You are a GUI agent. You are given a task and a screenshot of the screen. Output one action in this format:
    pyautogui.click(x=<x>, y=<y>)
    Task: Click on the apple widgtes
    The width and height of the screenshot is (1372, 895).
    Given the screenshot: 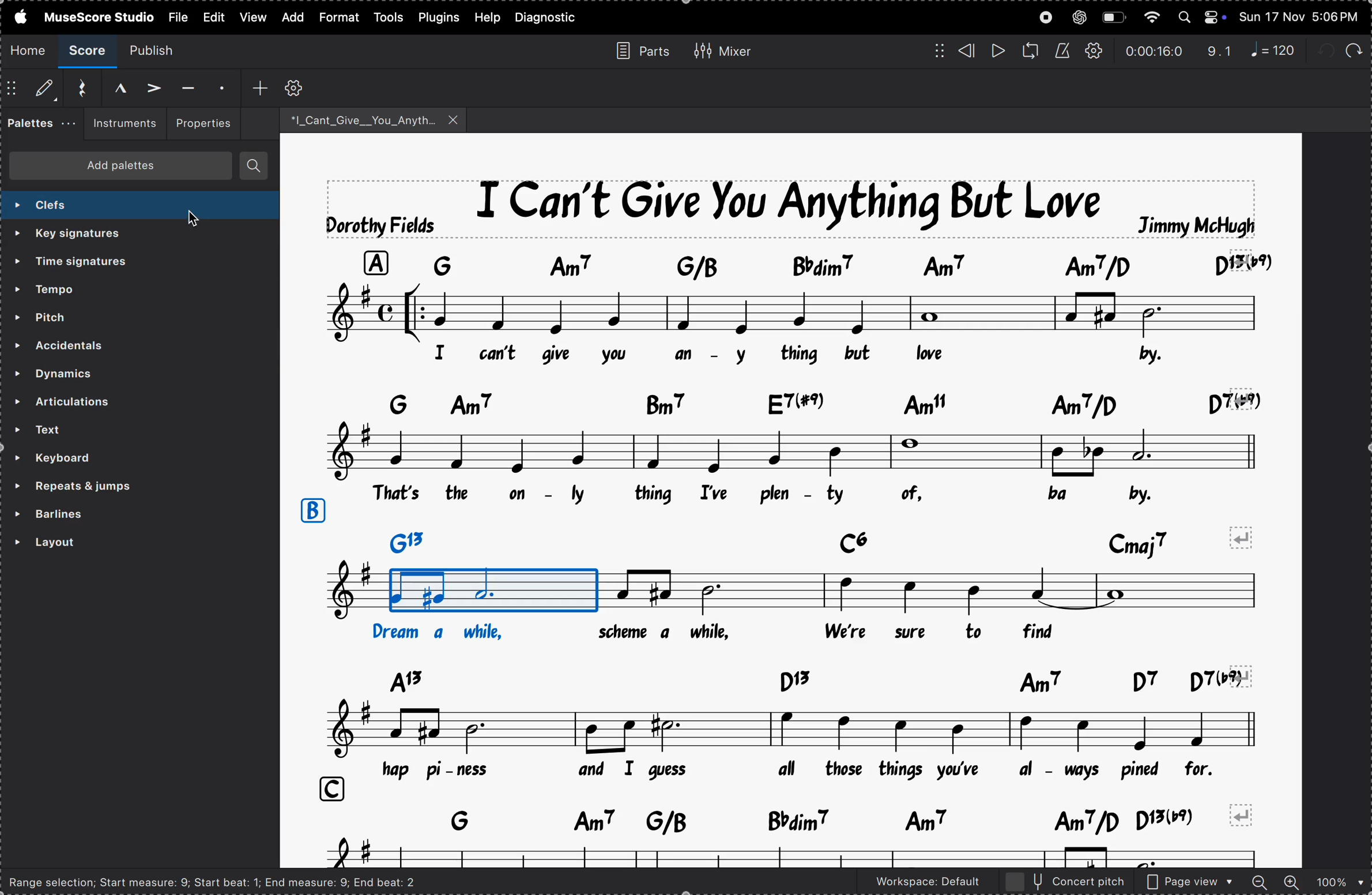 What is the action you would take?
    pyautogui.click(x=1203, y=17)
    